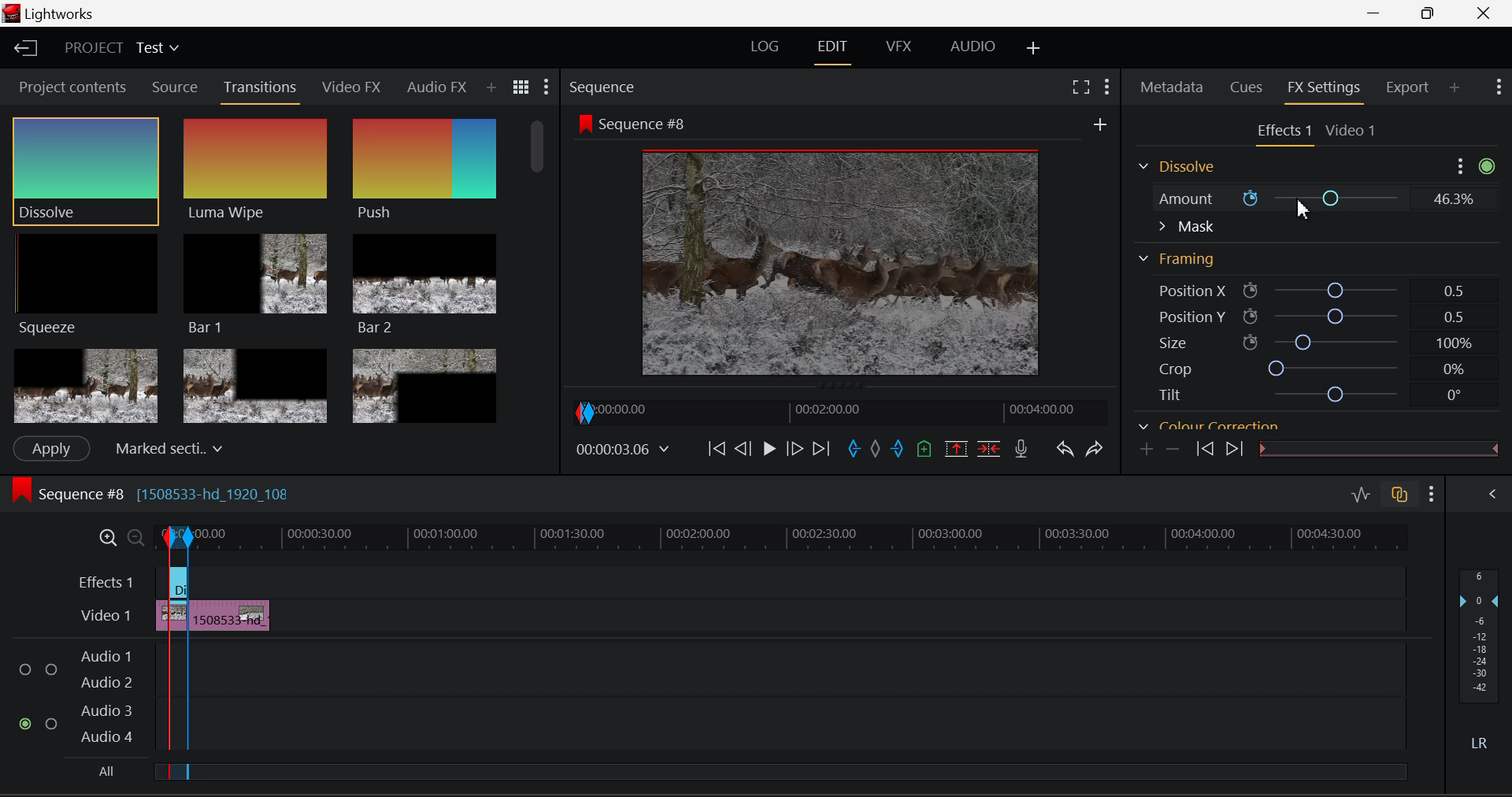 The image size is (1512, 797). What do you see at coordinates (521, 87) in the screenshot?
I see `Toggle between list and title view` at bounding box center [521, 87].